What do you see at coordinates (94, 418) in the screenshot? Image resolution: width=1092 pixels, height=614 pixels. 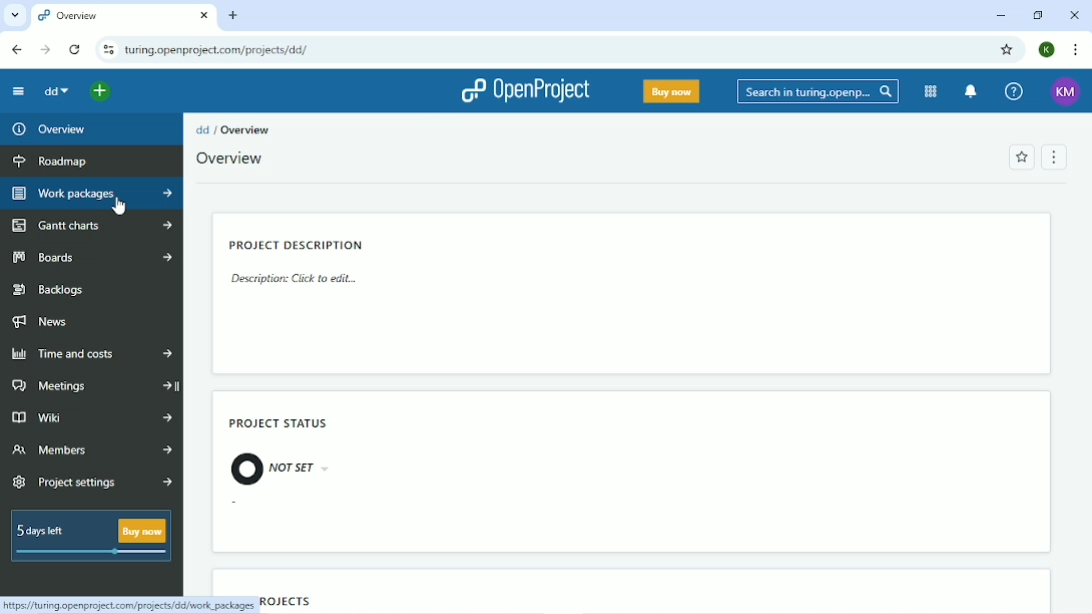 I see `Wiki` at bounding box center [94, 418].